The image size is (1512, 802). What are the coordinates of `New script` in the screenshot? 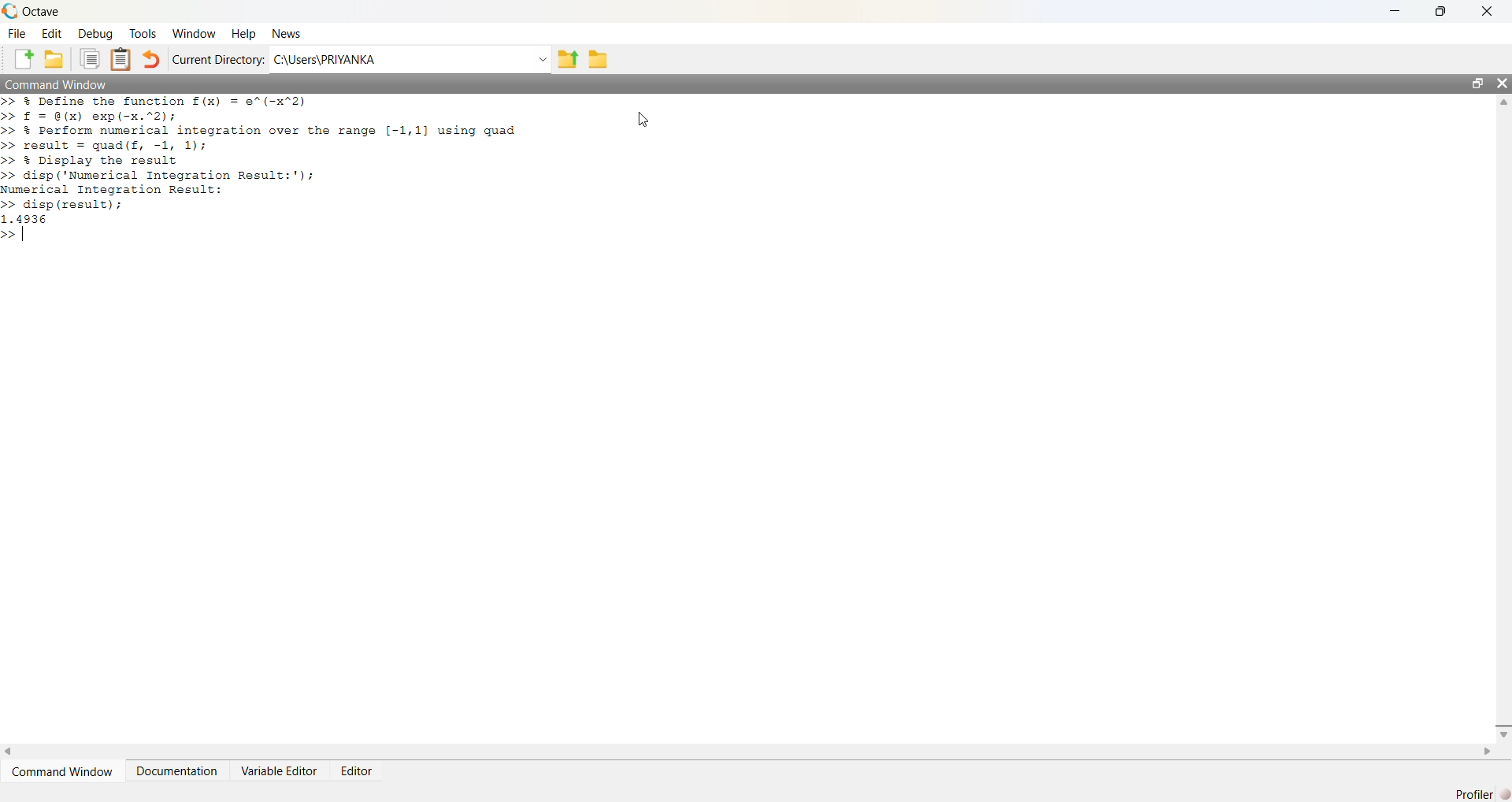 It's located at (24, 58).